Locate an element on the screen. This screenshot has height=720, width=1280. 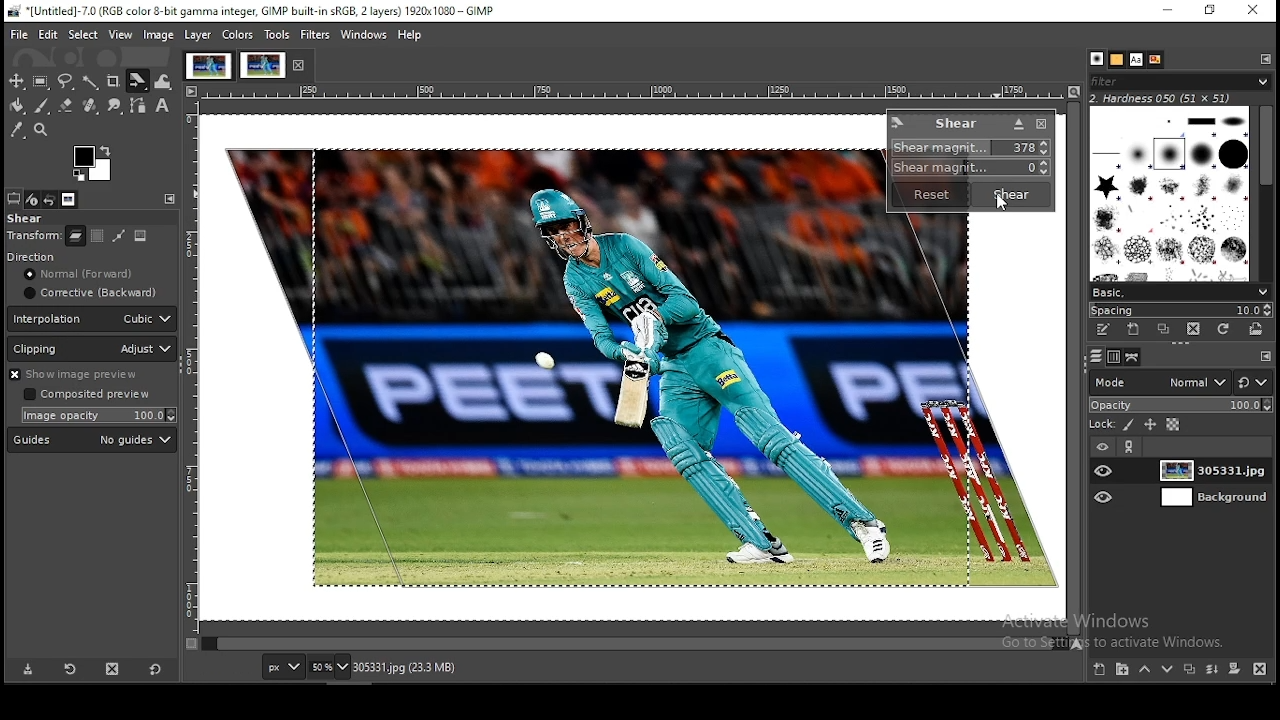
logo is located at coordinates (898, 122).